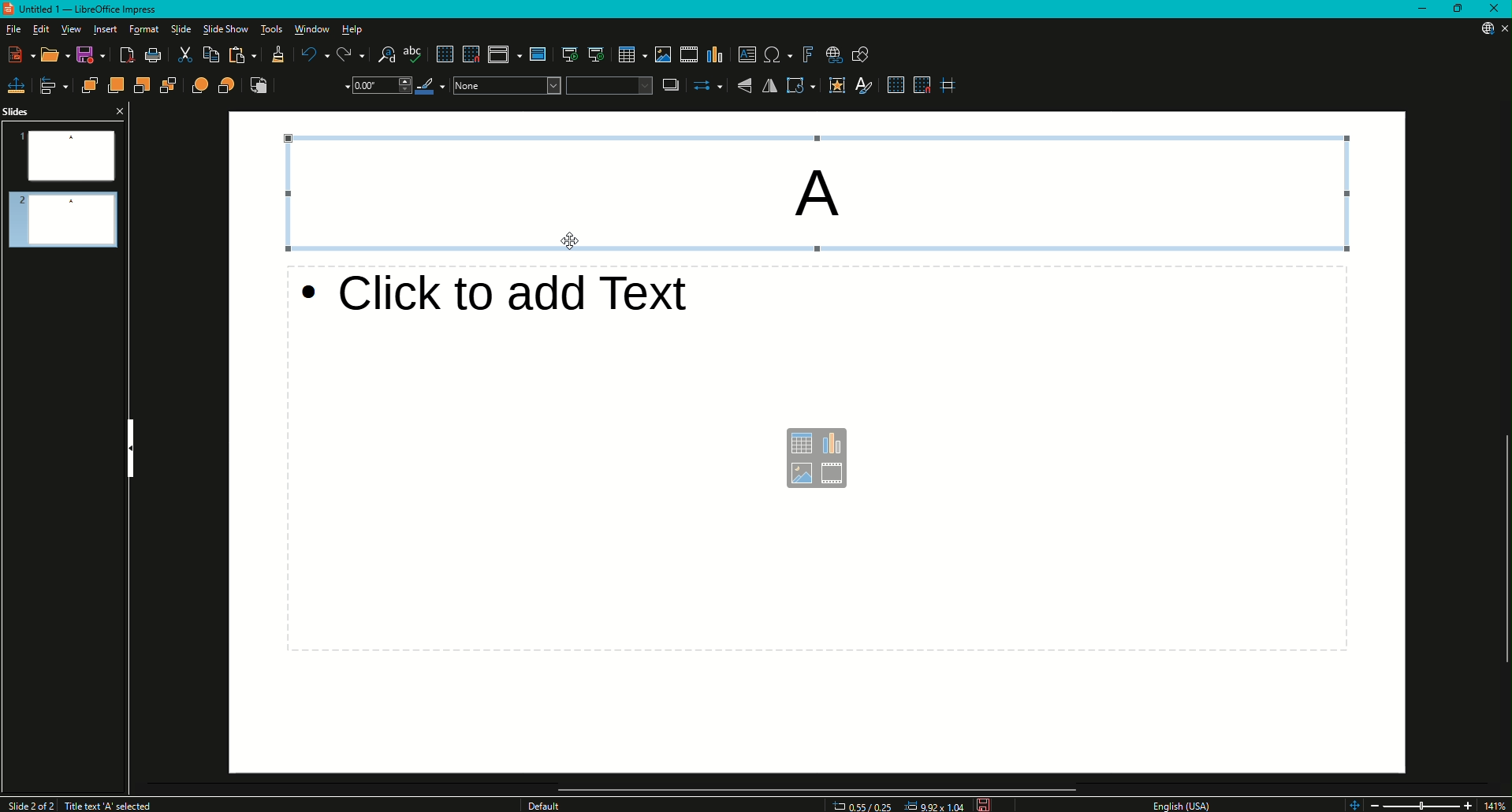 This screenshot has height=812, width=1512. What do you see at coordinates (379, 52) in the screenshot?
I see `Find and Replace` at bounding box center [379, 52].